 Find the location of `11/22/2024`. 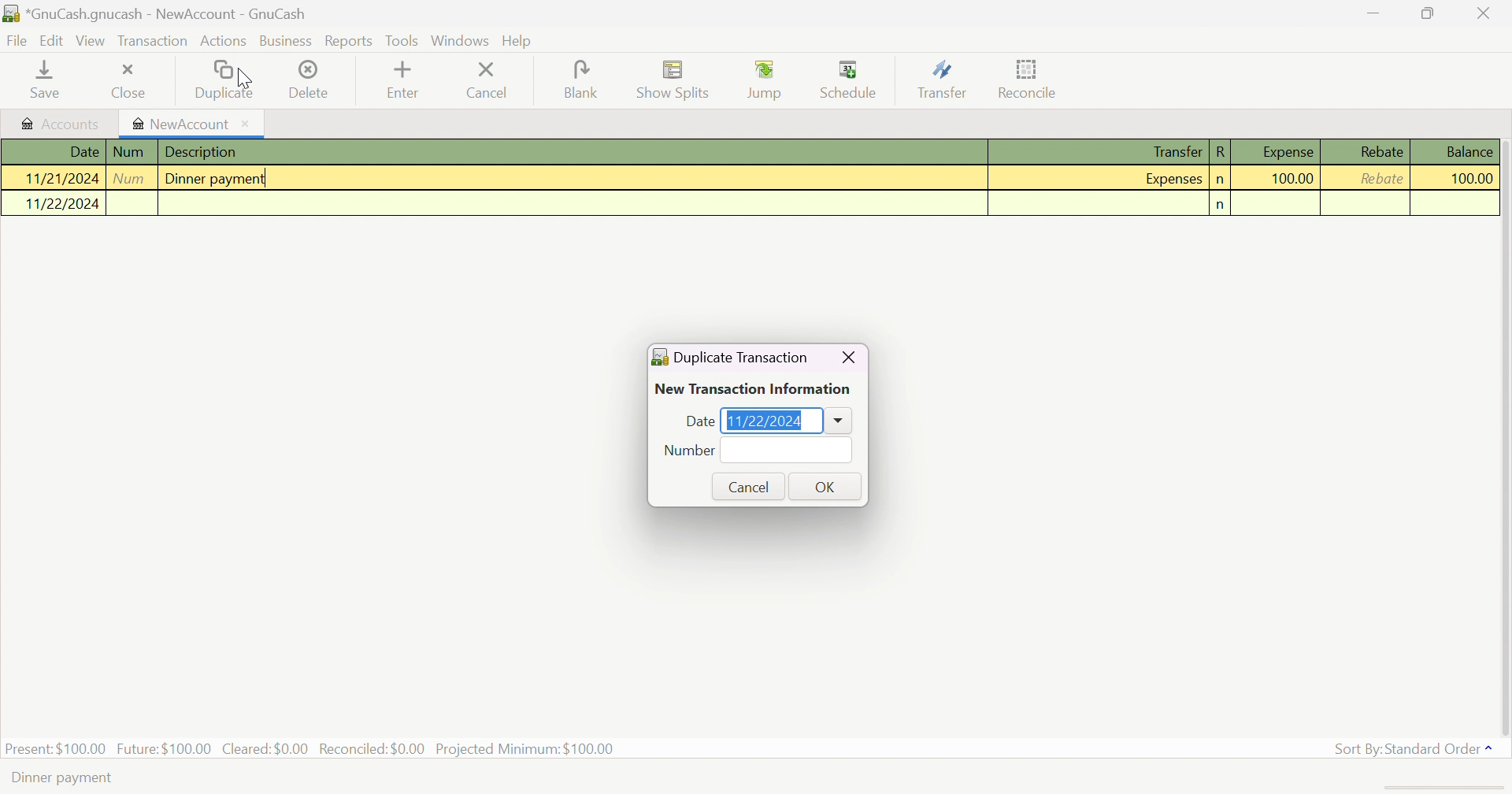

11/22/2024 is located at coordinates (766, 421).